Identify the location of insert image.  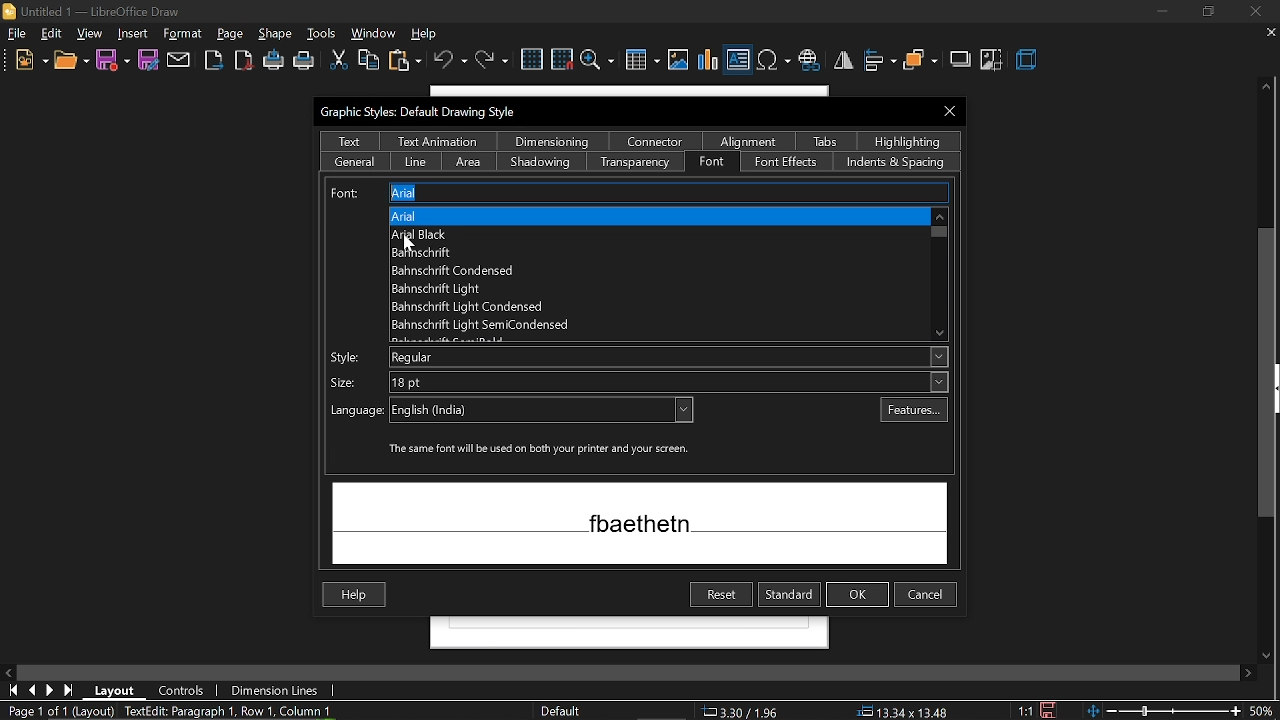
(679, 59).